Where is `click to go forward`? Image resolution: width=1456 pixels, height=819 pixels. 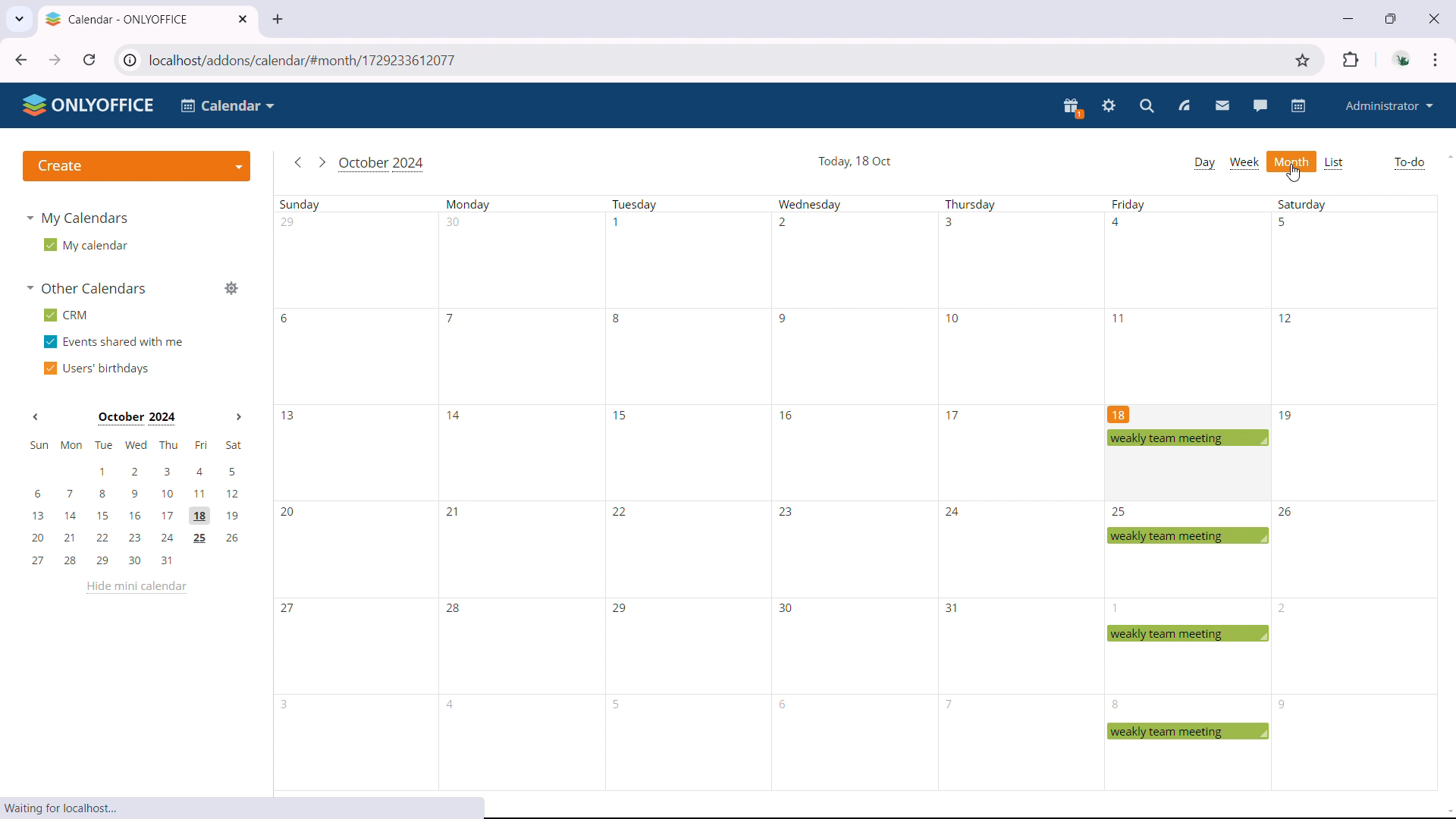 click to go forward is located at coordinates (54, 59).